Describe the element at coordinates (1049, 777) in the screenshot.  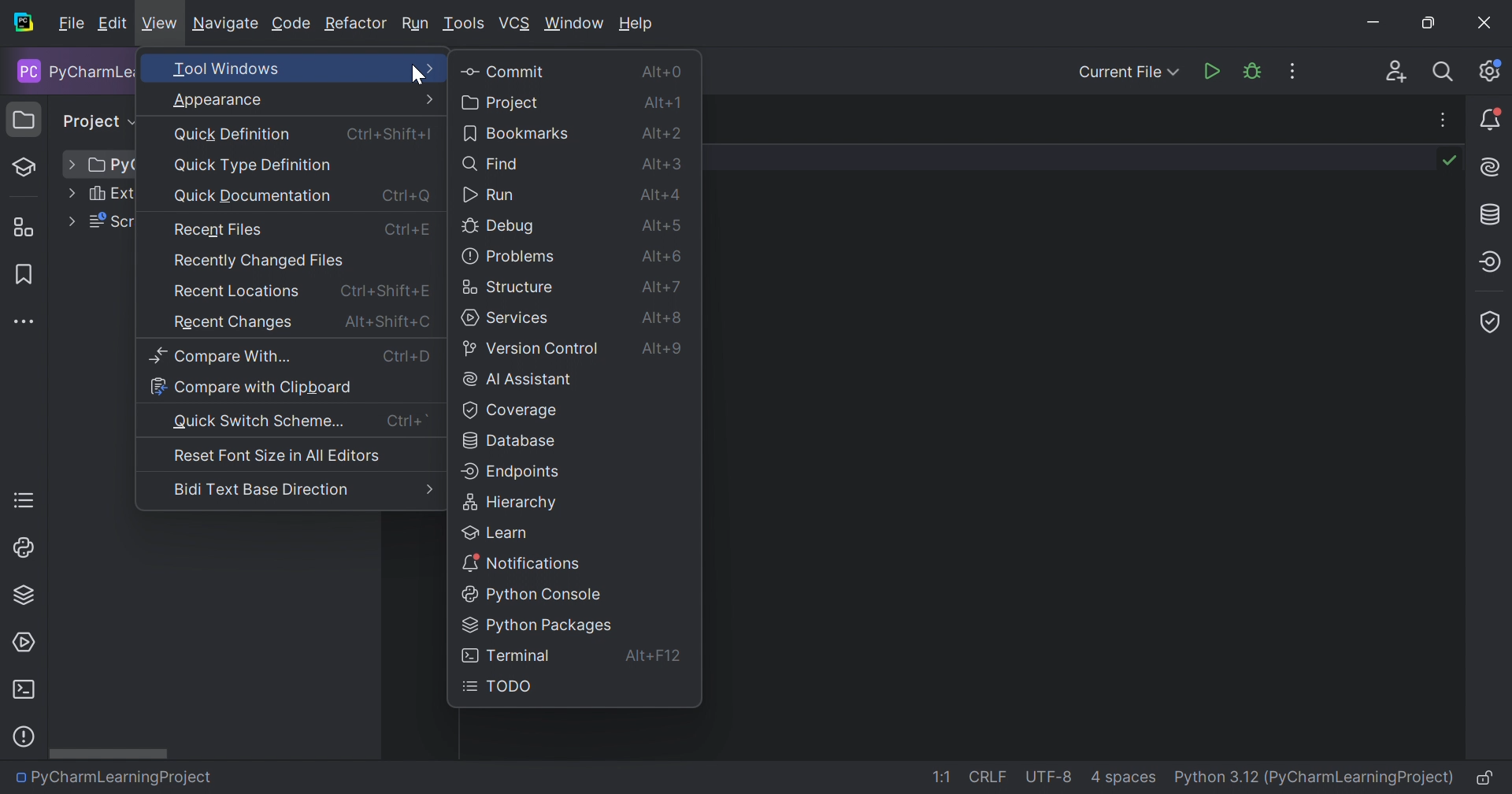
I see `UTF-8` at that location.